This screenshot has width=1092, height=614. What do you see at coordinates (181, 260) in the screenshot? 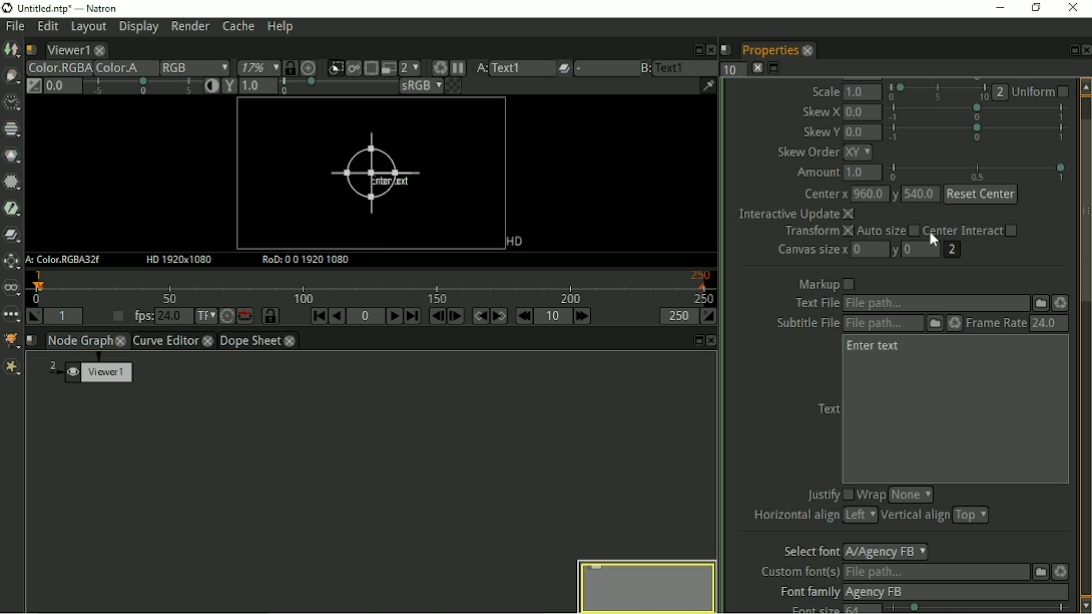
I see `HD` at bounding box center [181, 260].